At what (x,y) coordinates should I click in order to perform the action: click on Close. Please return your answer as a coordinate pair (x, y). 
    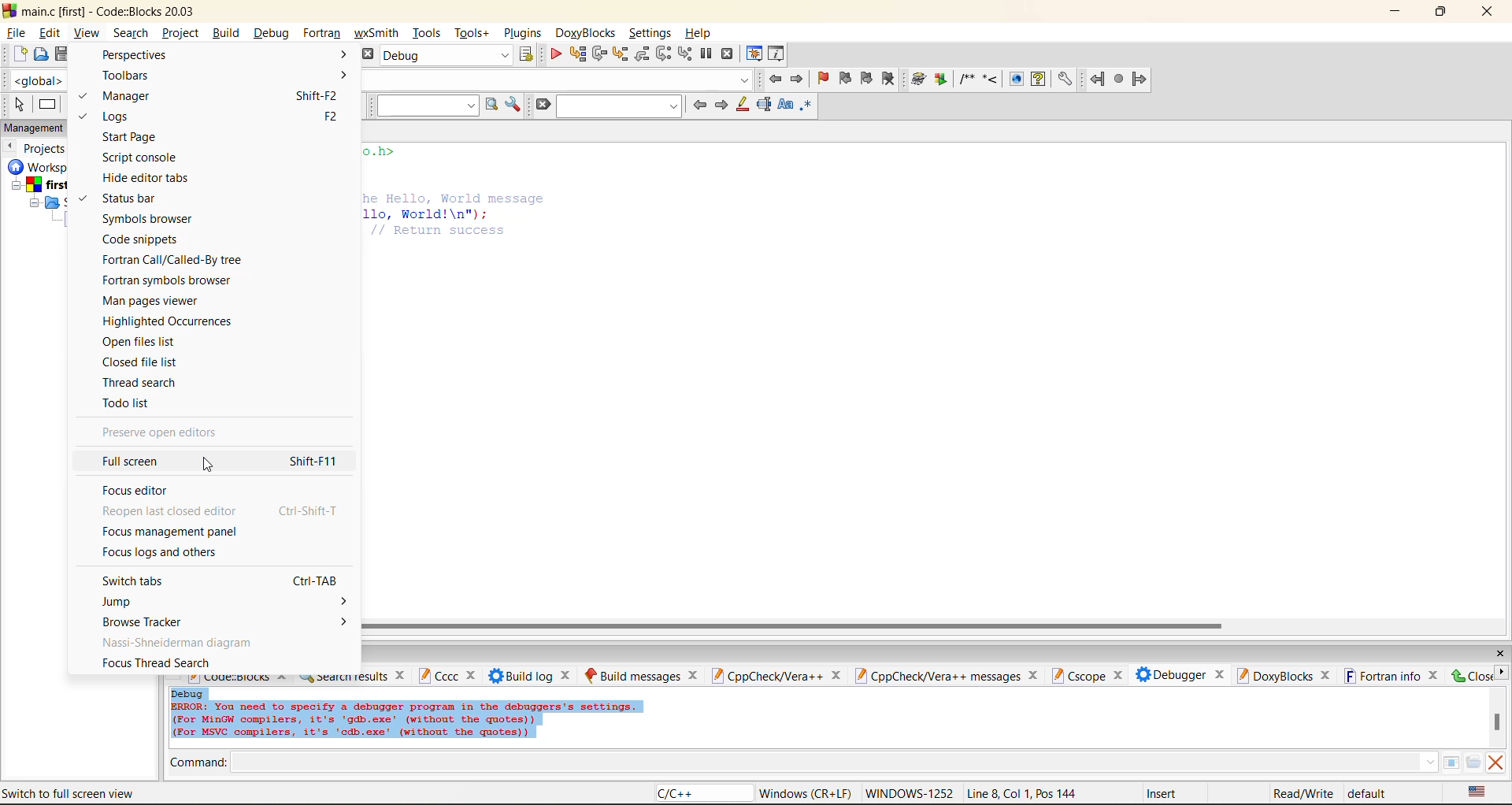
    Looking at the image, I should click on (1478, 677).